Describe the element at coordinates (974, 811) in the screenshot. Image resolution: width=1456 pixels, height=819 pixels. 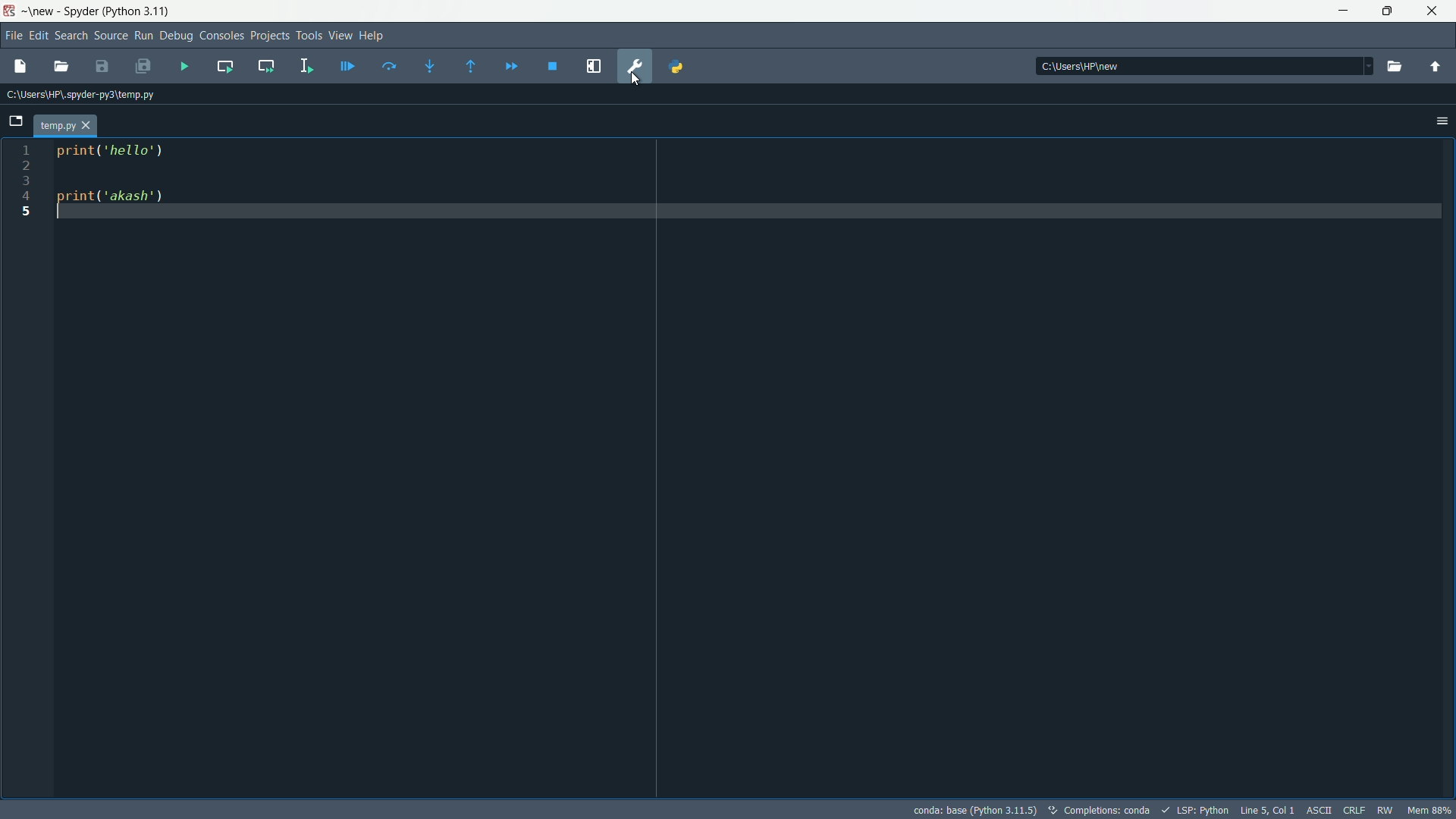
I see `interpreter ` at that location.